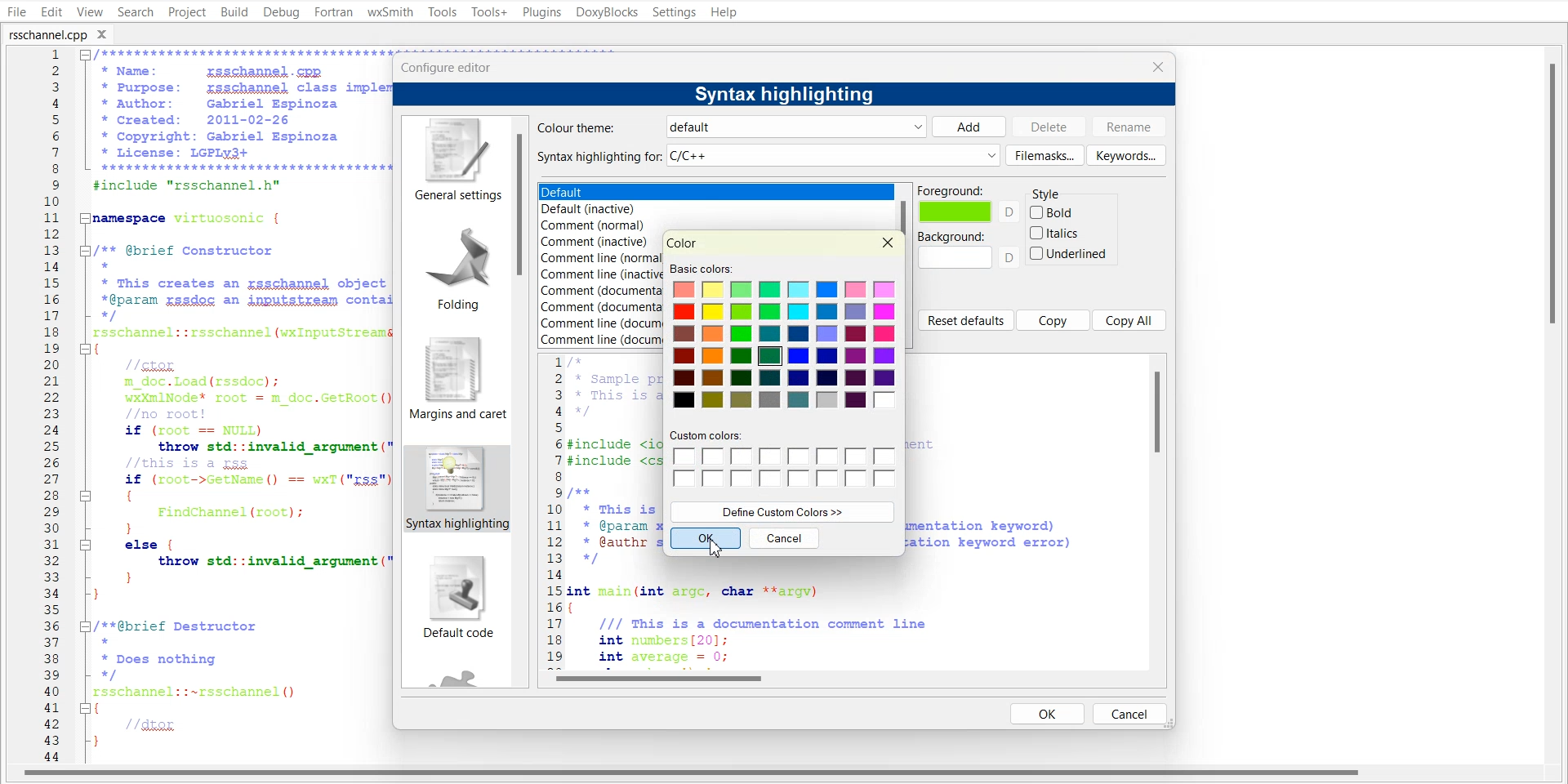 This screenshot has width=1568, height=784. What do you see at coordinates (675, 11) in the screenshot?
I see `Settings` at bounding box center [675, 11].